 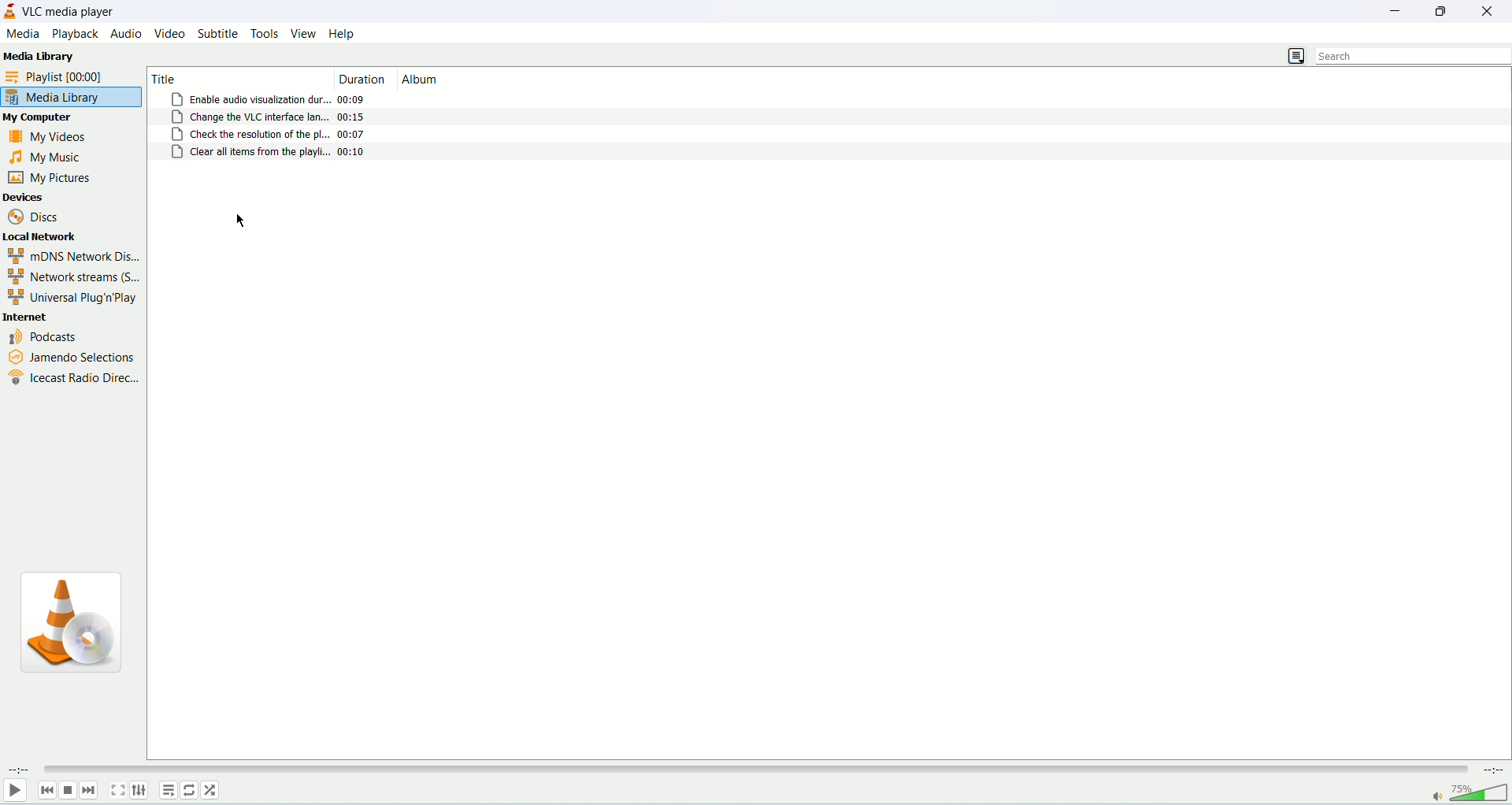 I want to click on maximize, so click(x=1443, y=12).